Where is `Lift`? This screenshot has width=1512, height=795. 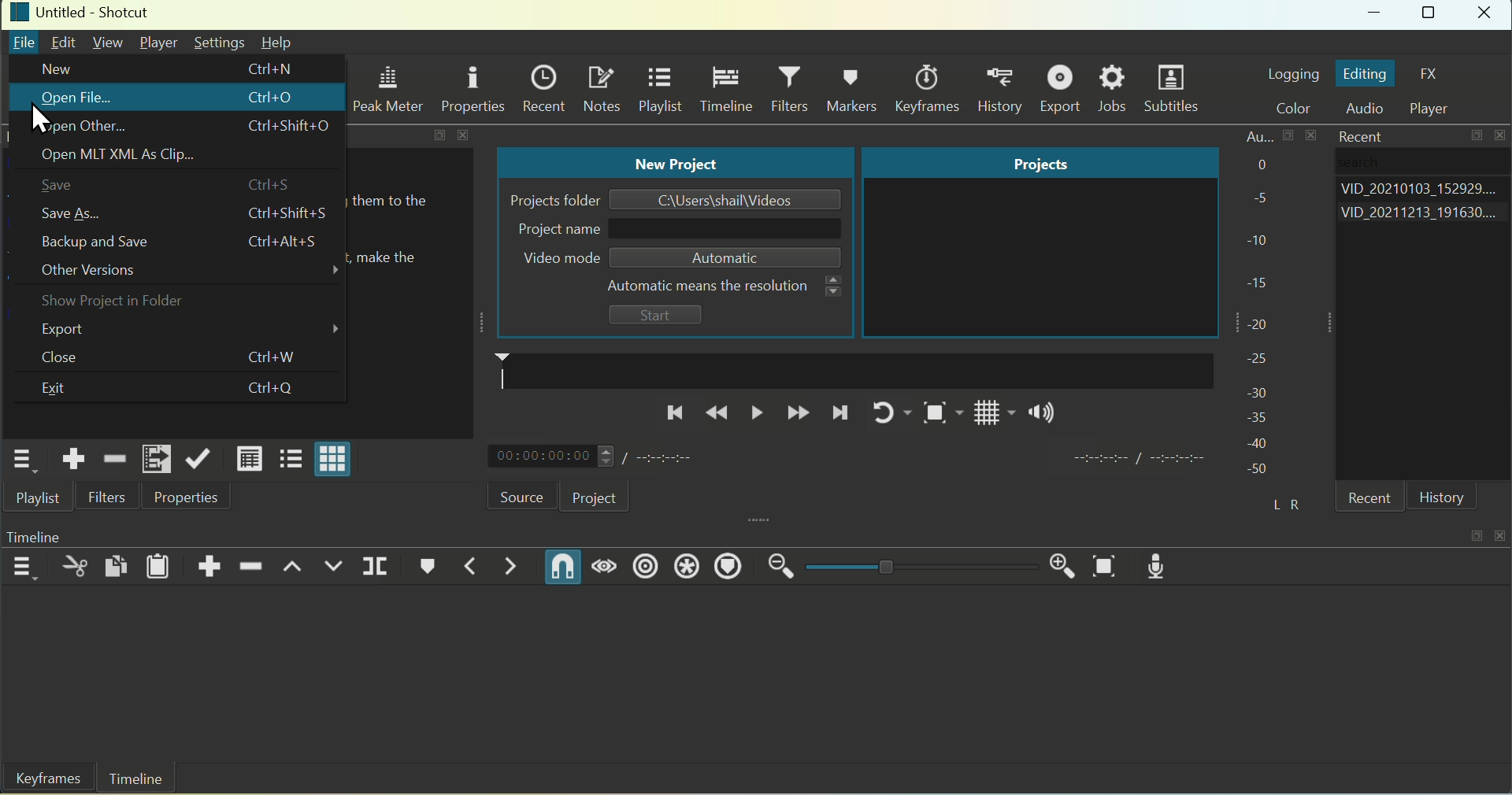
Lift is located at coordinates (294, 569).